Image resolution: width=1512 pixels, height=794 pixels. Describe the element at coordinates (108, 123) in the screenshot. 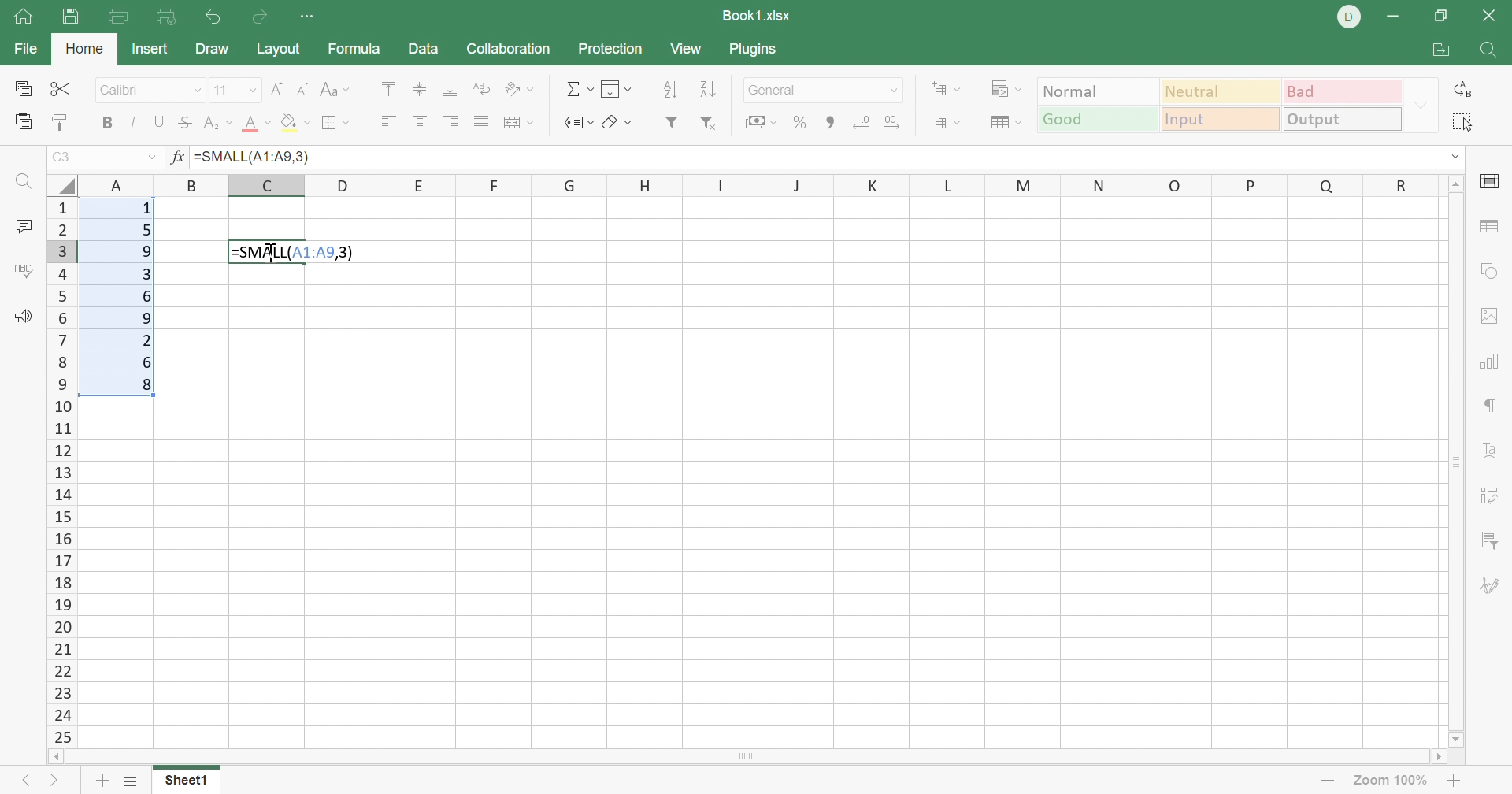

I see `Bold` at that location.